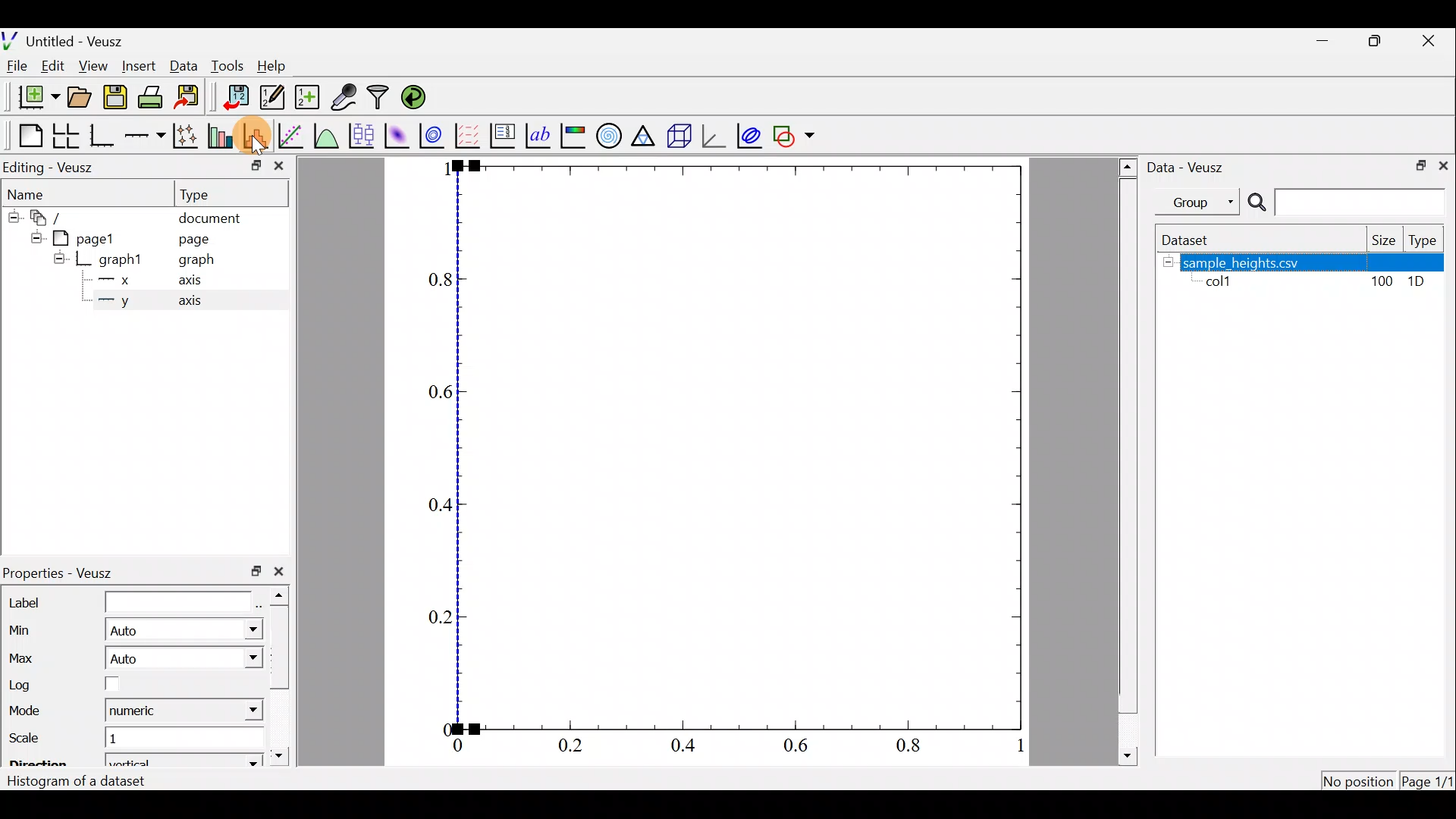  Describe the element at coordinates (469, 136) in the screenshot. I see `plot a vector field` at that location.